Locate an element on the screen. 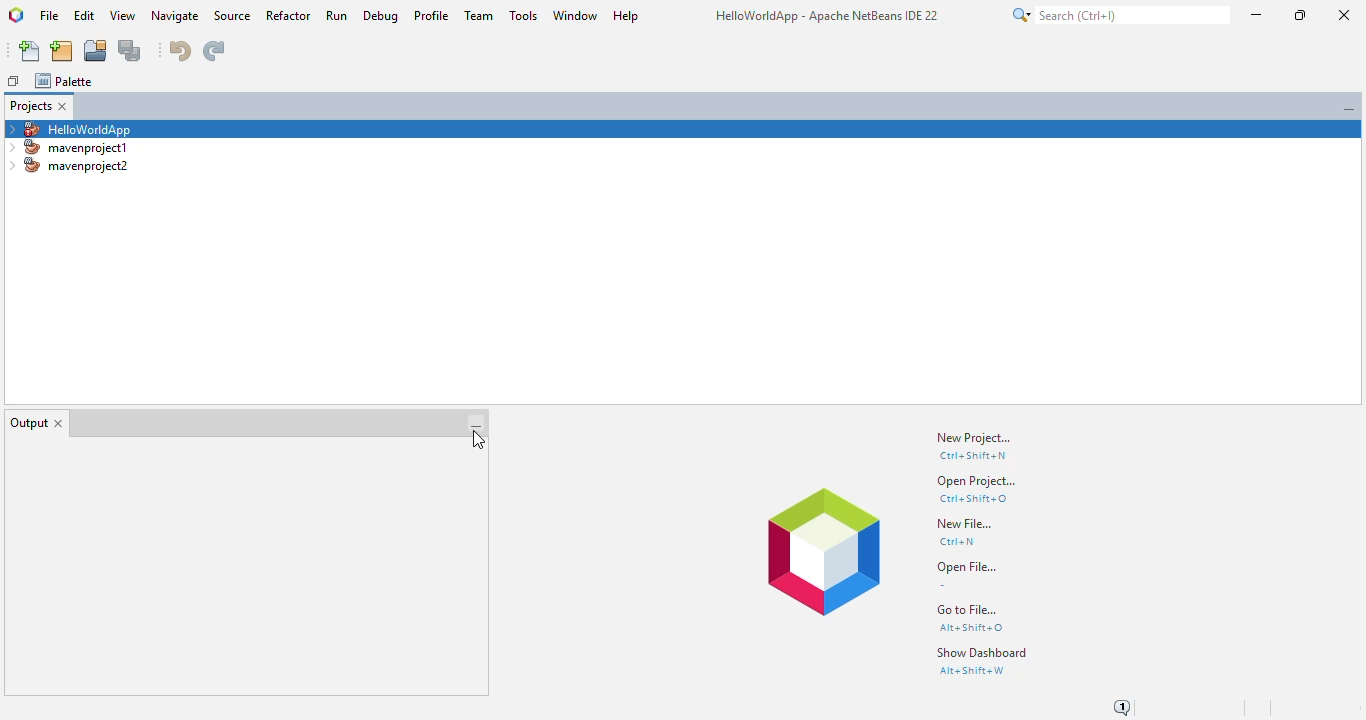 The height and width of the screenshot is (720, 1366). new project is located at coordinates (972, 438).